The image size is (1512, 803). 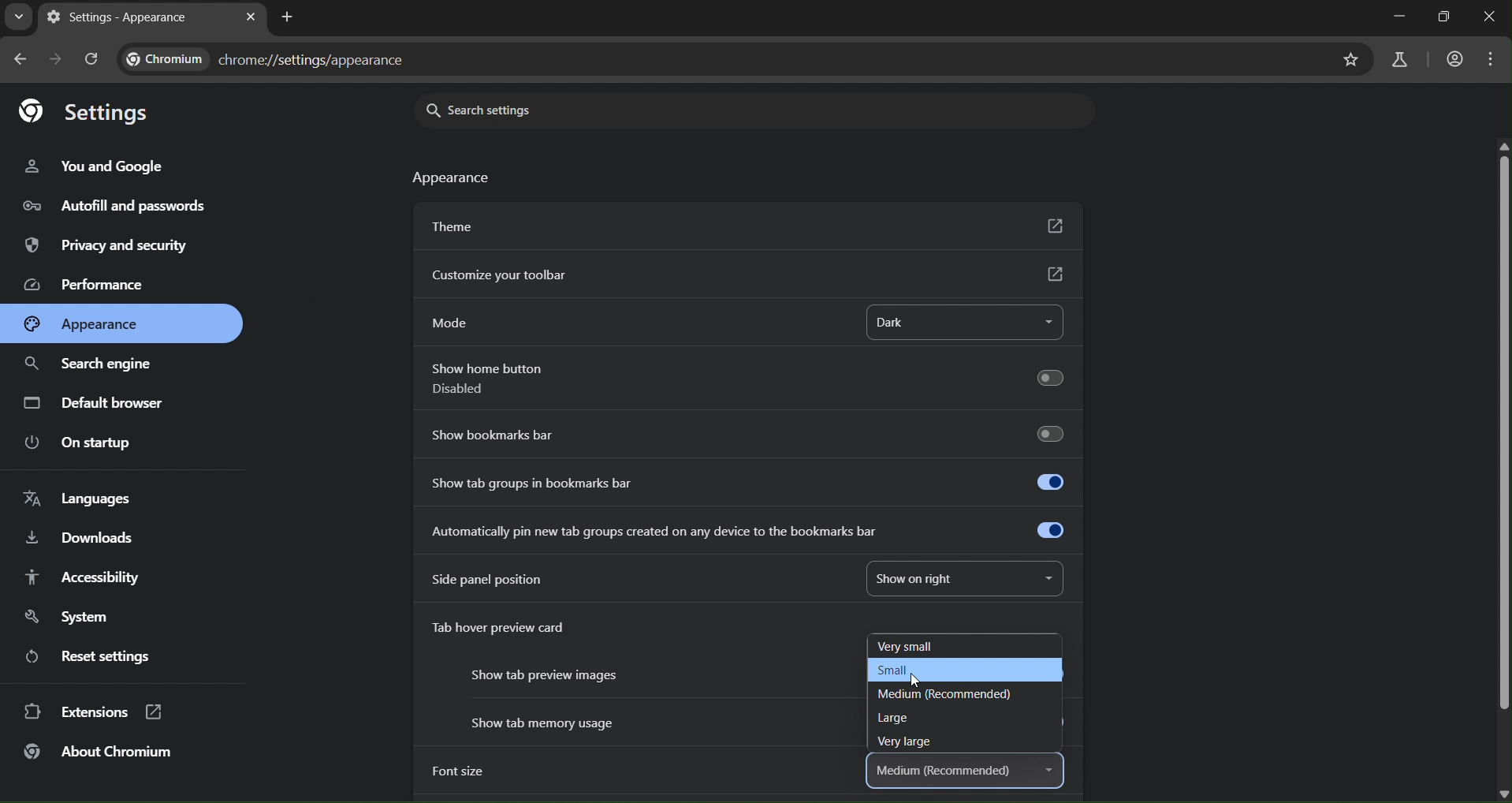 I want to click on reload page, so click(x=94, y=60).